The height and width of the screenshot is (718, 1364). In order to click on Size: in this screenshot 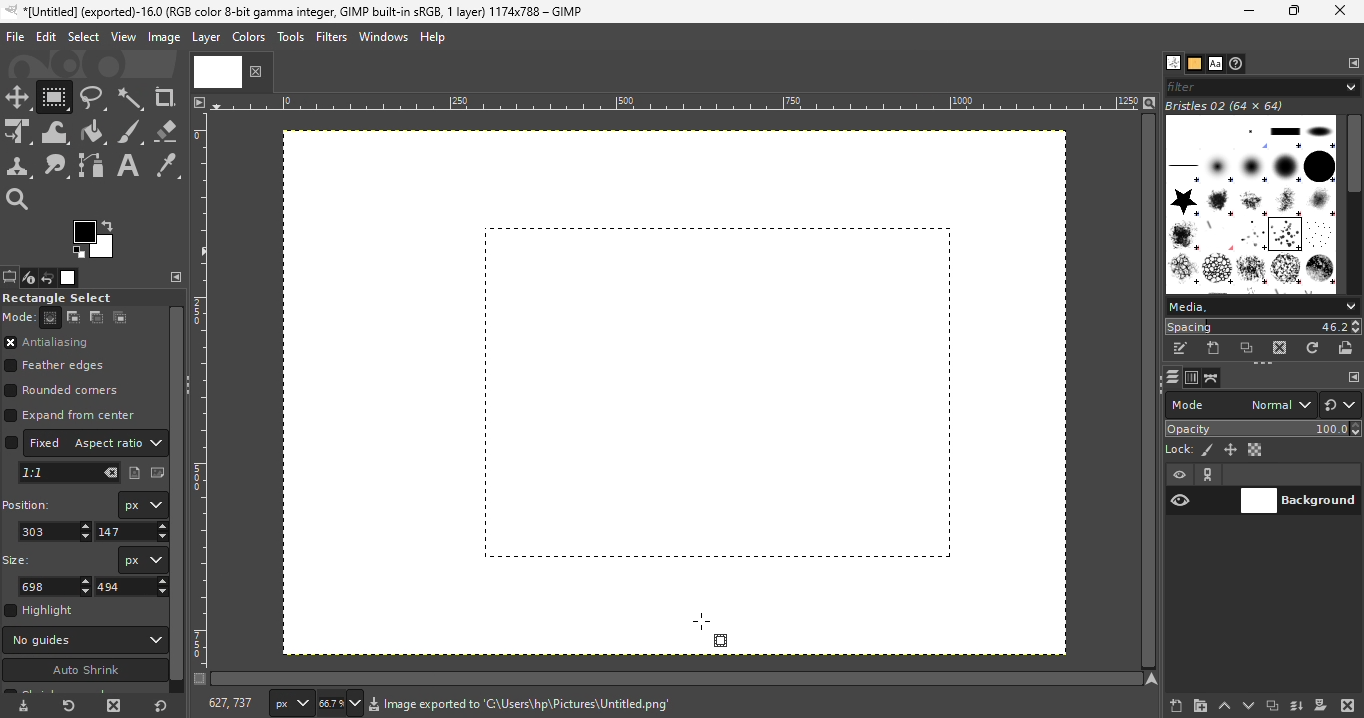, I will do `click(18, 561)`.